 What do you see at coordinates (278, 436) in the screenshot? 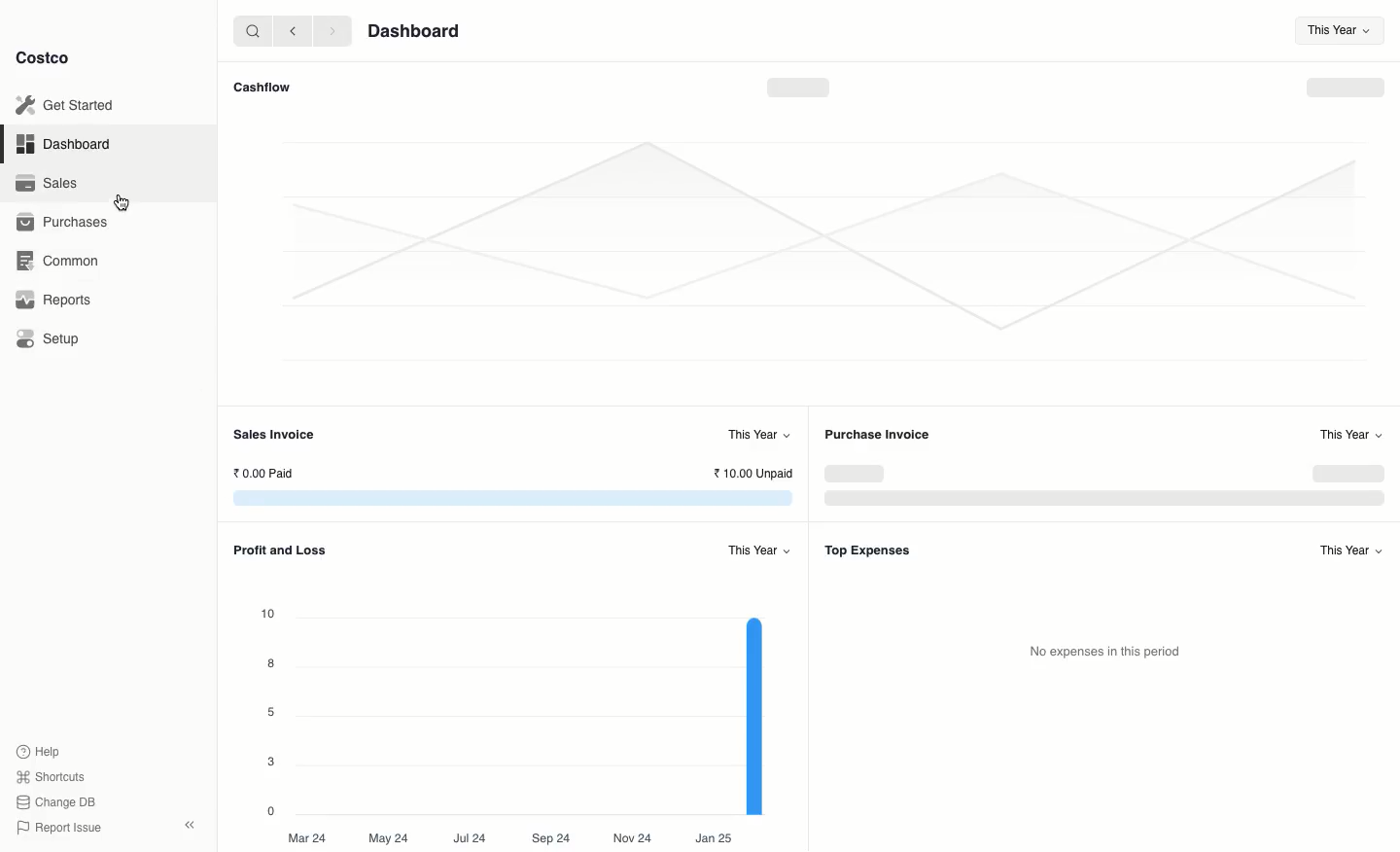
I see `Sales Invoice` at bounding box center [278, 436].